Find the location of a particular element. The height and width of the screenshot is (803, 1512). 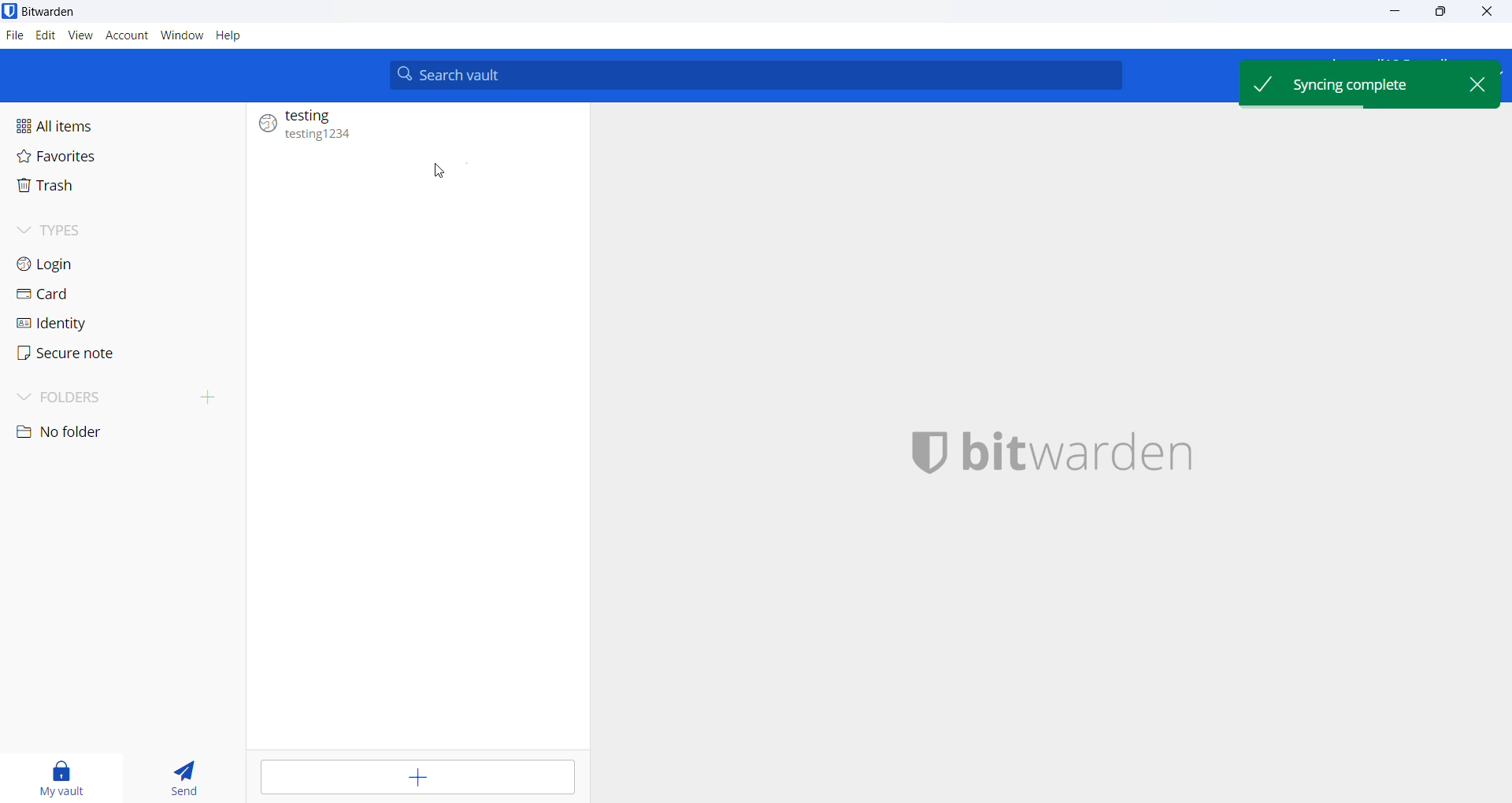

popup text is located at coordinates (1349, 83).